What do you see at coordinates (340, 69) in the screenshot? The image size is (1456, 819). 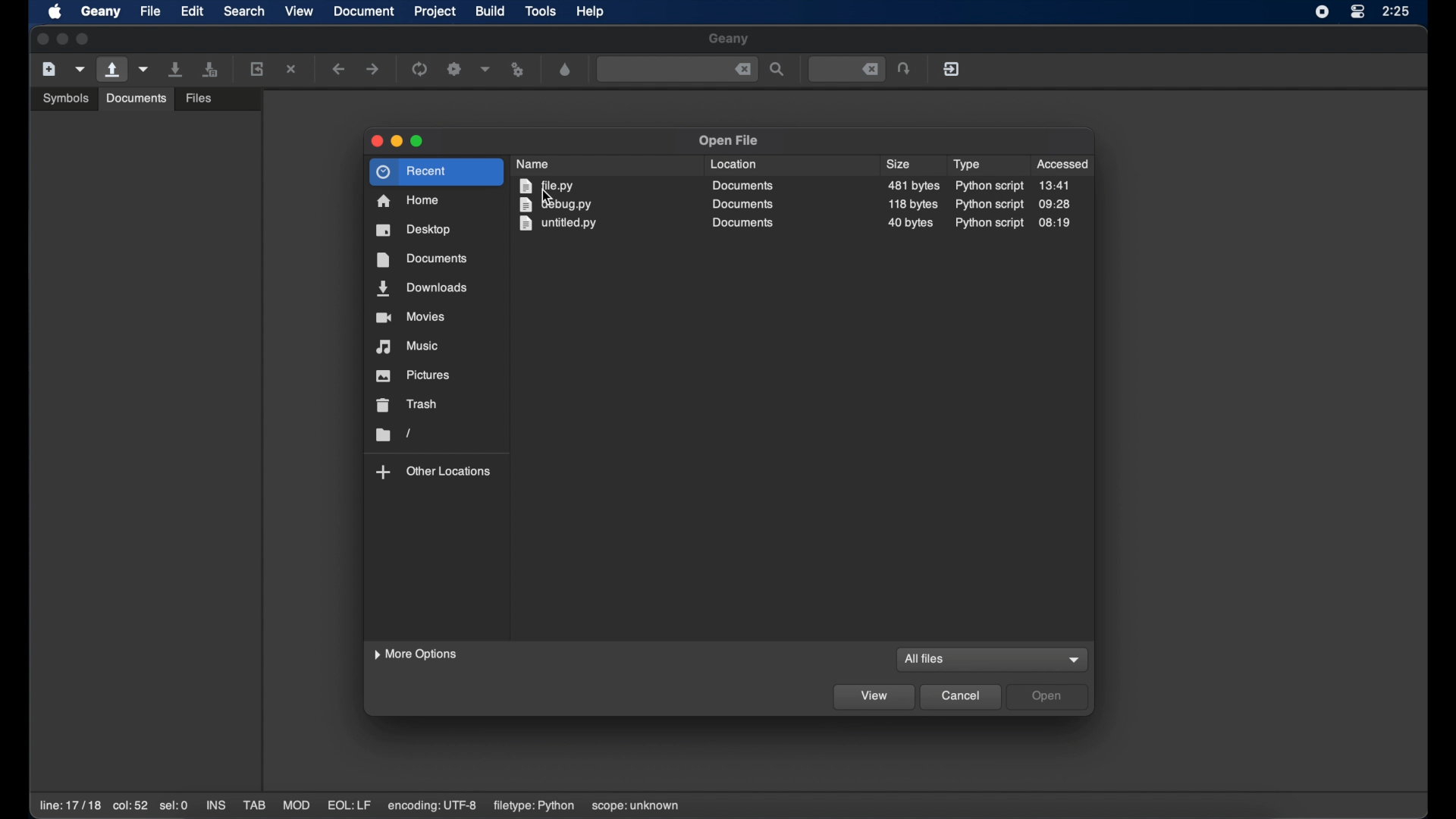 I see `navigate backward a location` at bounding box center [340, 69].